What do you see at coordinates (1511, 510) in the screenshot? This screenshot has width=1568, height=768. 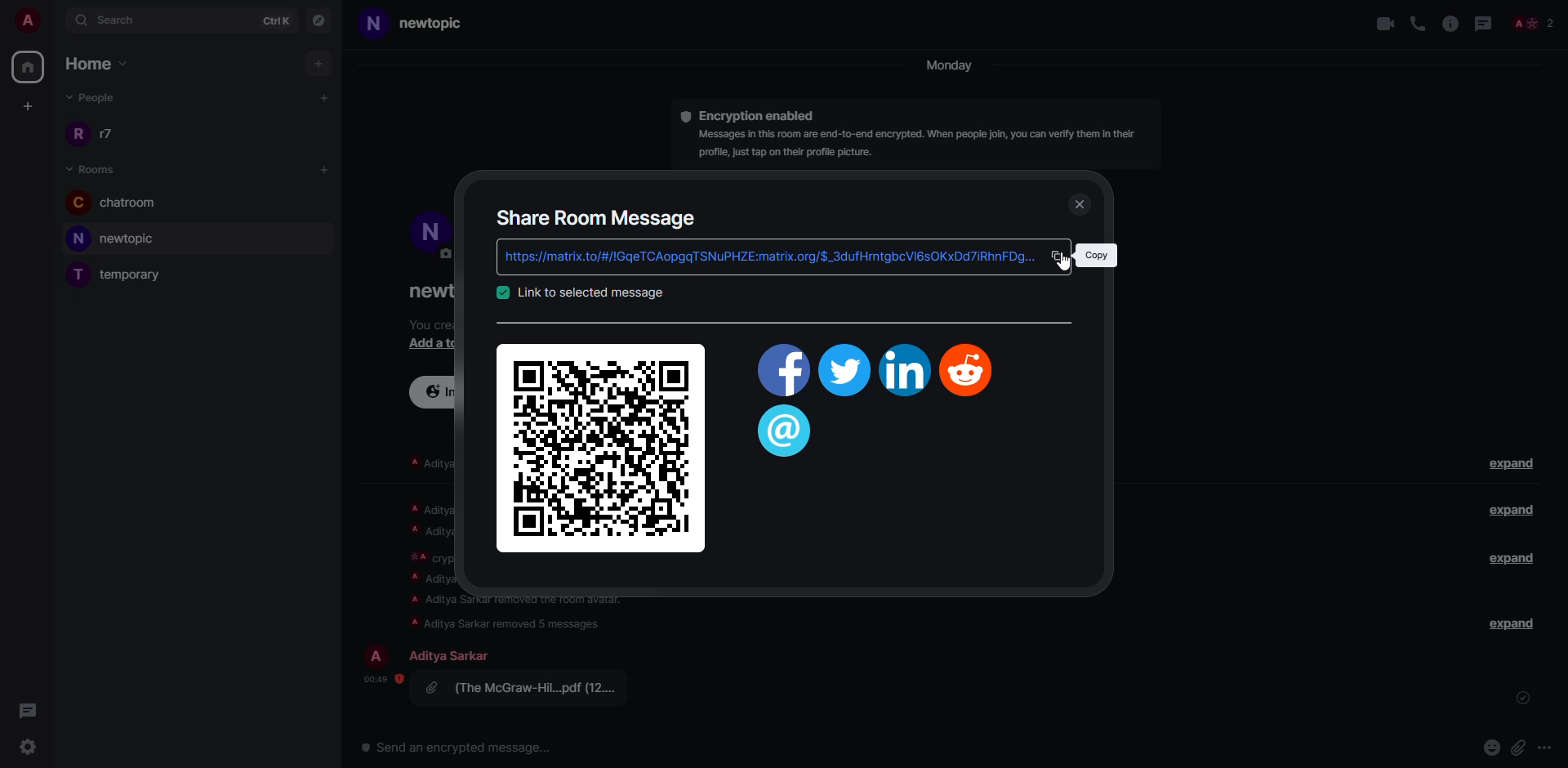 I see `expand` at bounding box center [1511, 510].